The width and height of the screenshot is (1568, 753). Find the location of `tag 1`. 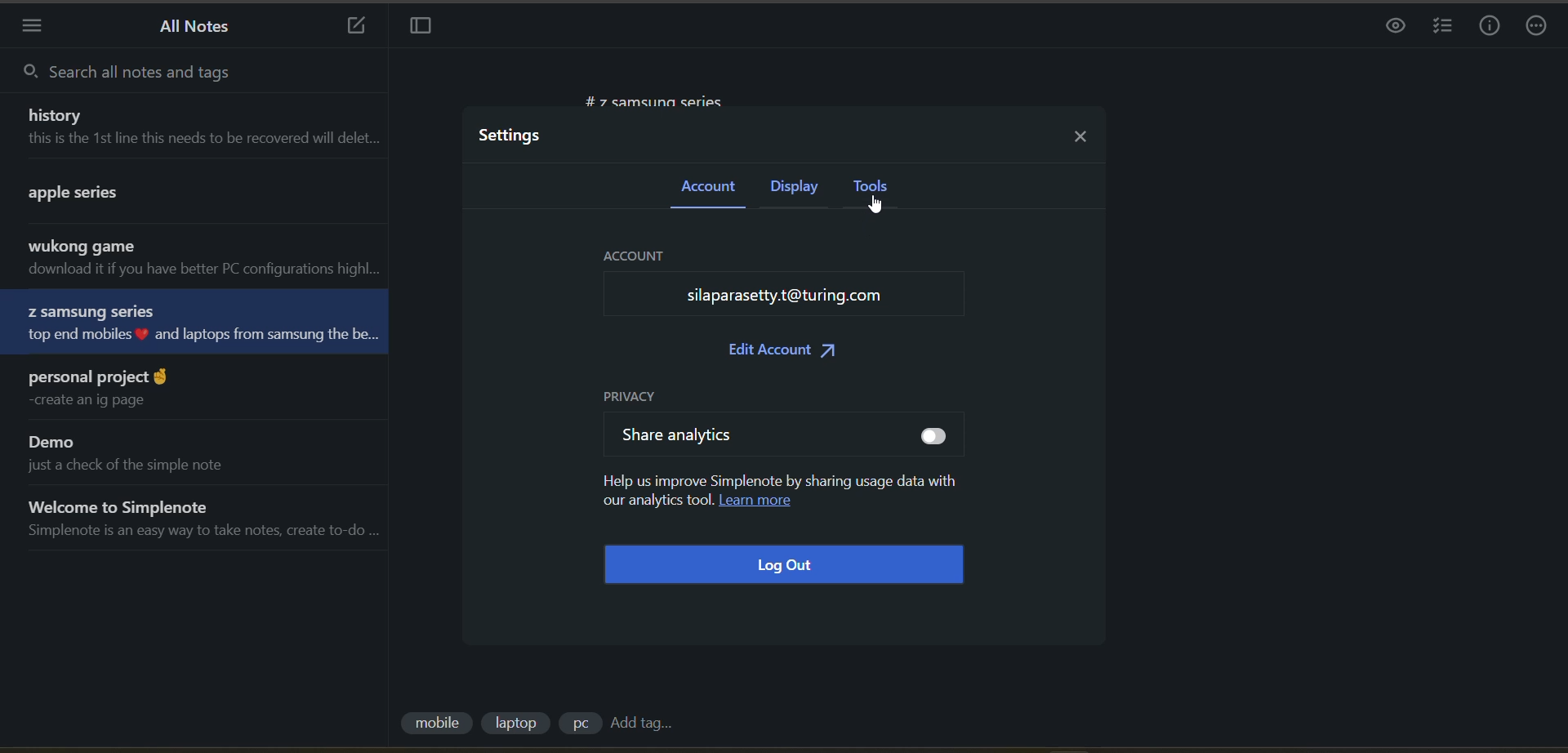

tag 1 is located at coordinates (435, 725).